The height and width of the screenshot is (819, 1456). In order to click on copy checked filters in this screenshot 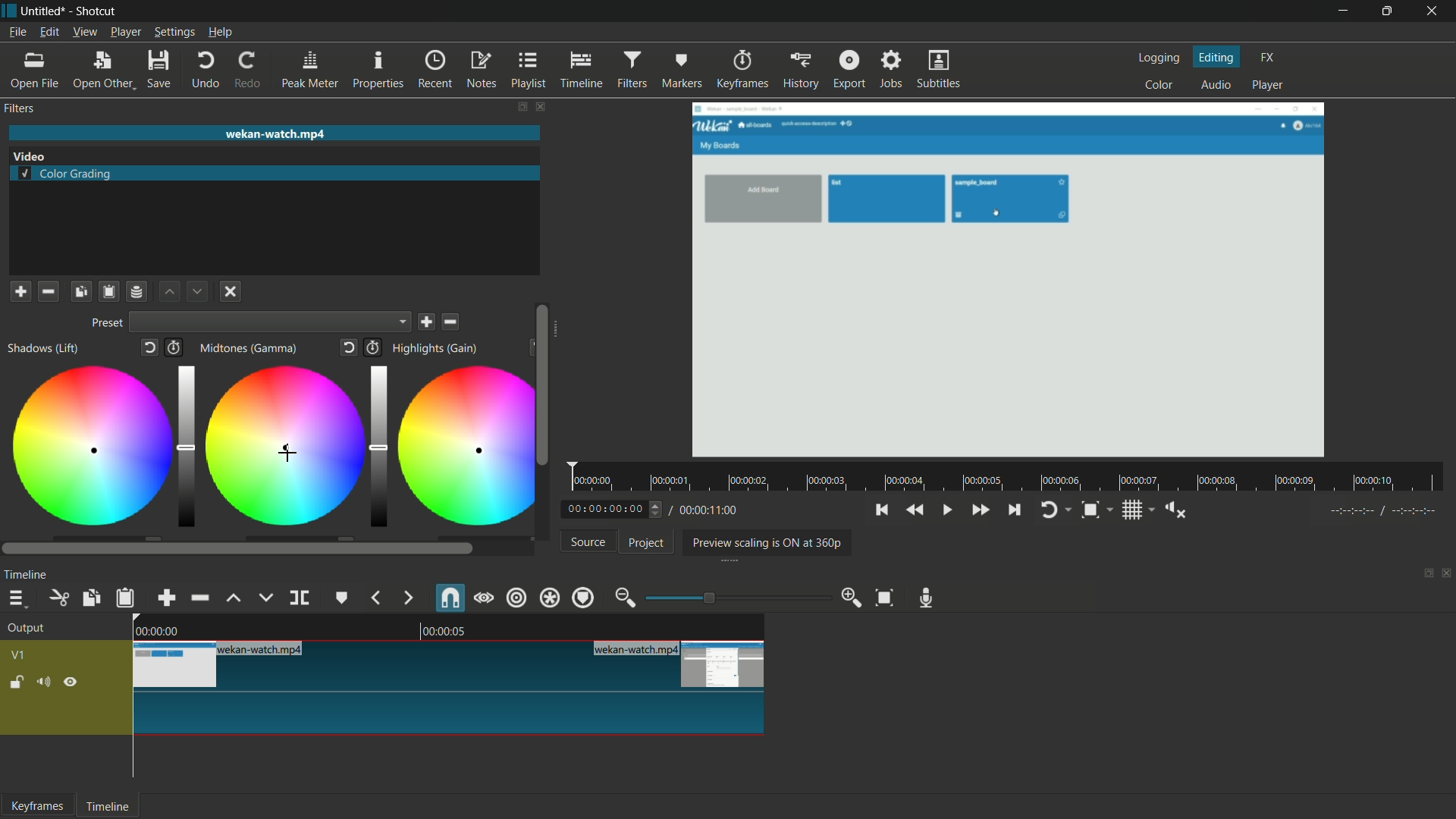, I will do `click(80, 293)`.